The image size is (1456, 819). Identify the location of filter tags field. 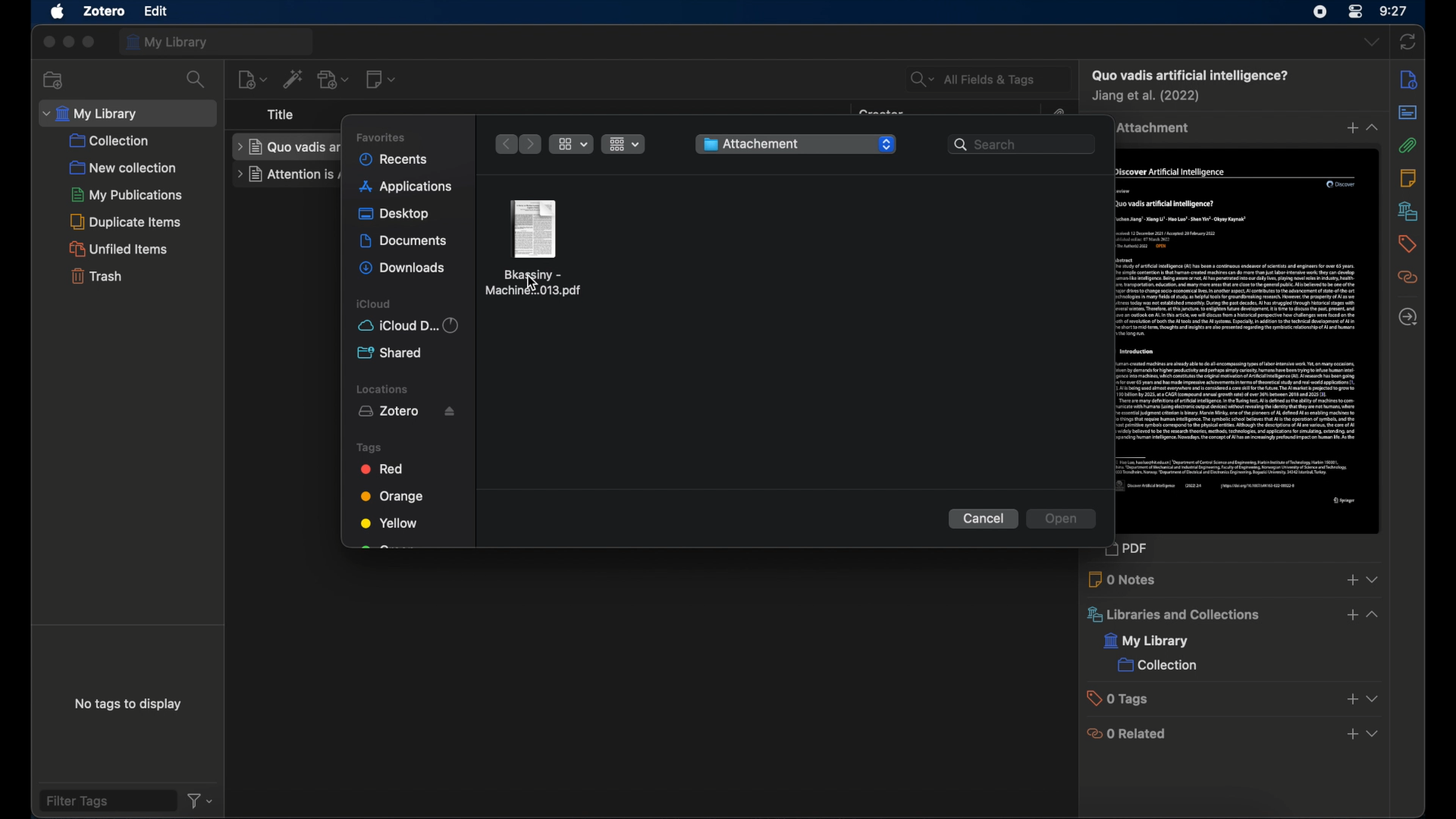
(106, 800).